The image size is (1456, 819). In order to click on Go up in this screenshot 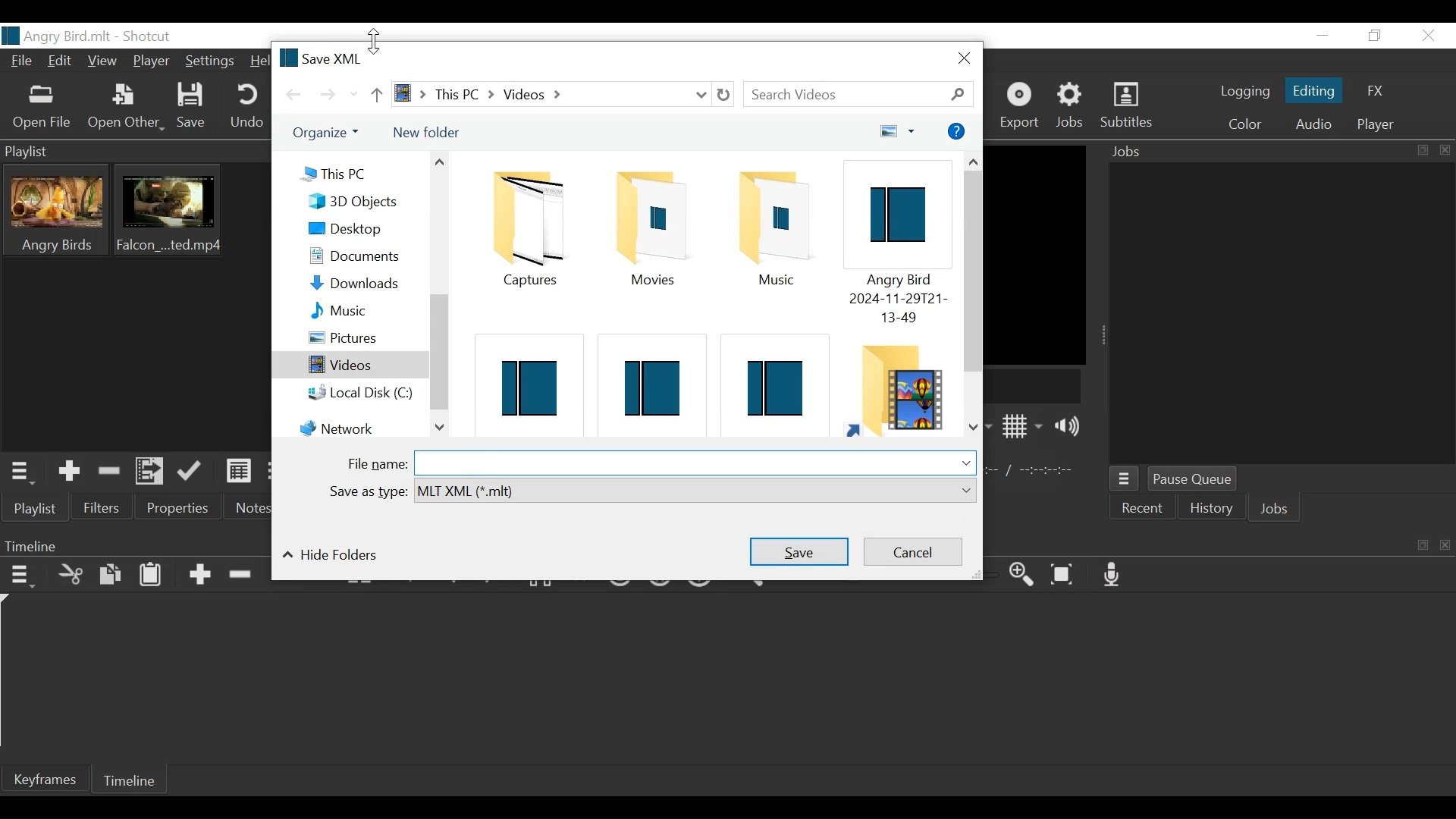, I will do `click(375, 93)`.